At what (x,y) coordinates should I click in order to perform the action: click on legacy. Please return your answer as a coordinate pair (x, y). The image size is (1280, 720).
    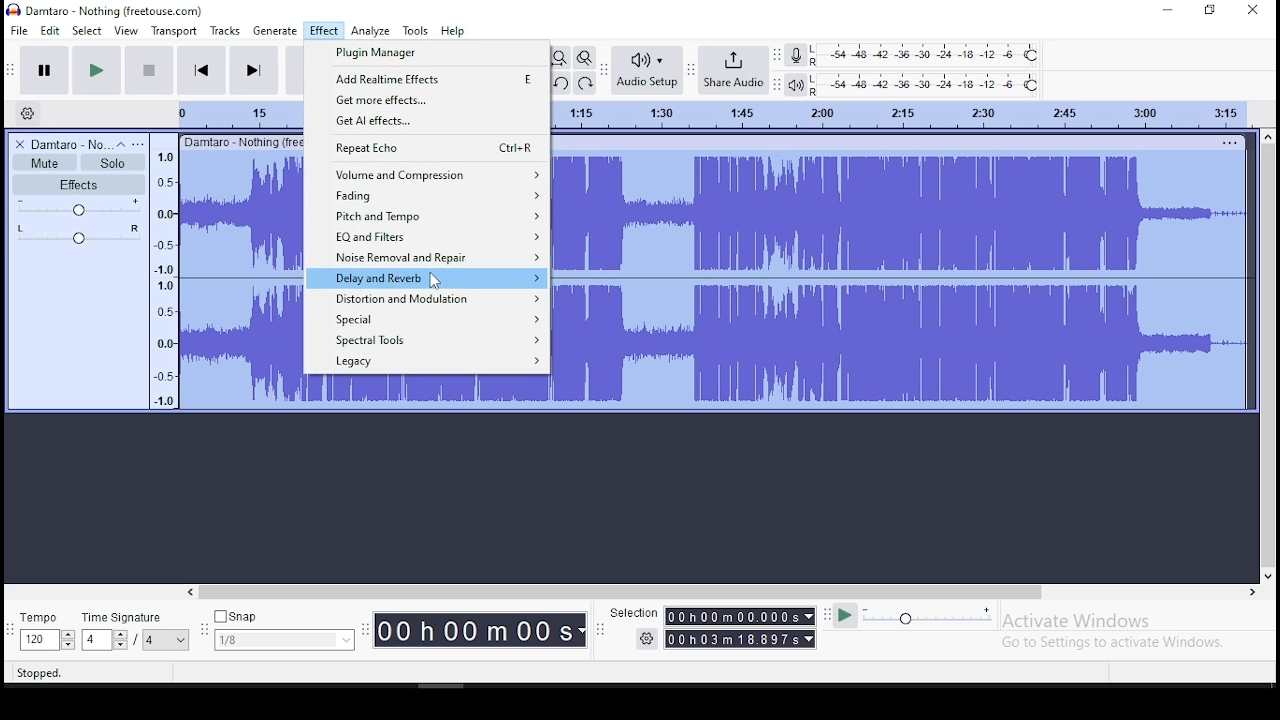
    Looking at the image, I should click on (429, 362).